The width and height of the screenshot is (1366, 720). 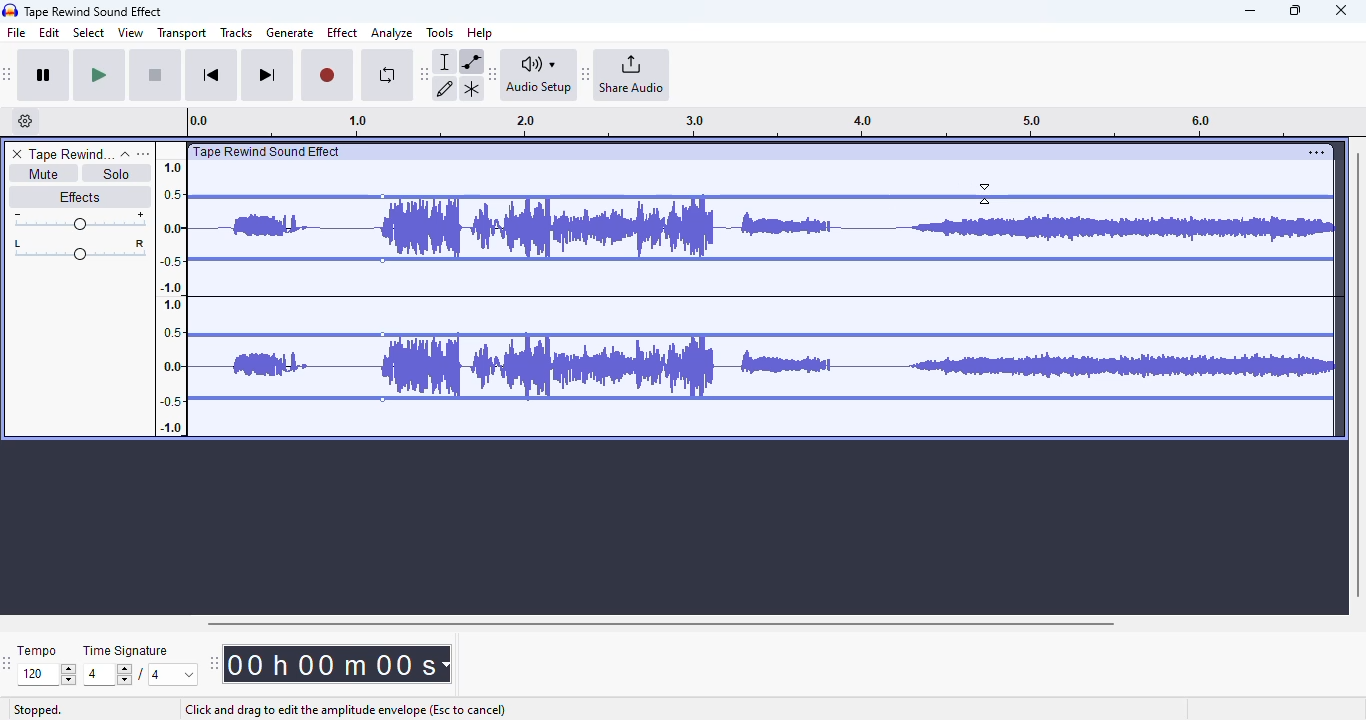 What do you see at coordinates (440, 32) in the screenshot?
I see `tools` at bounding box center [440, 32].